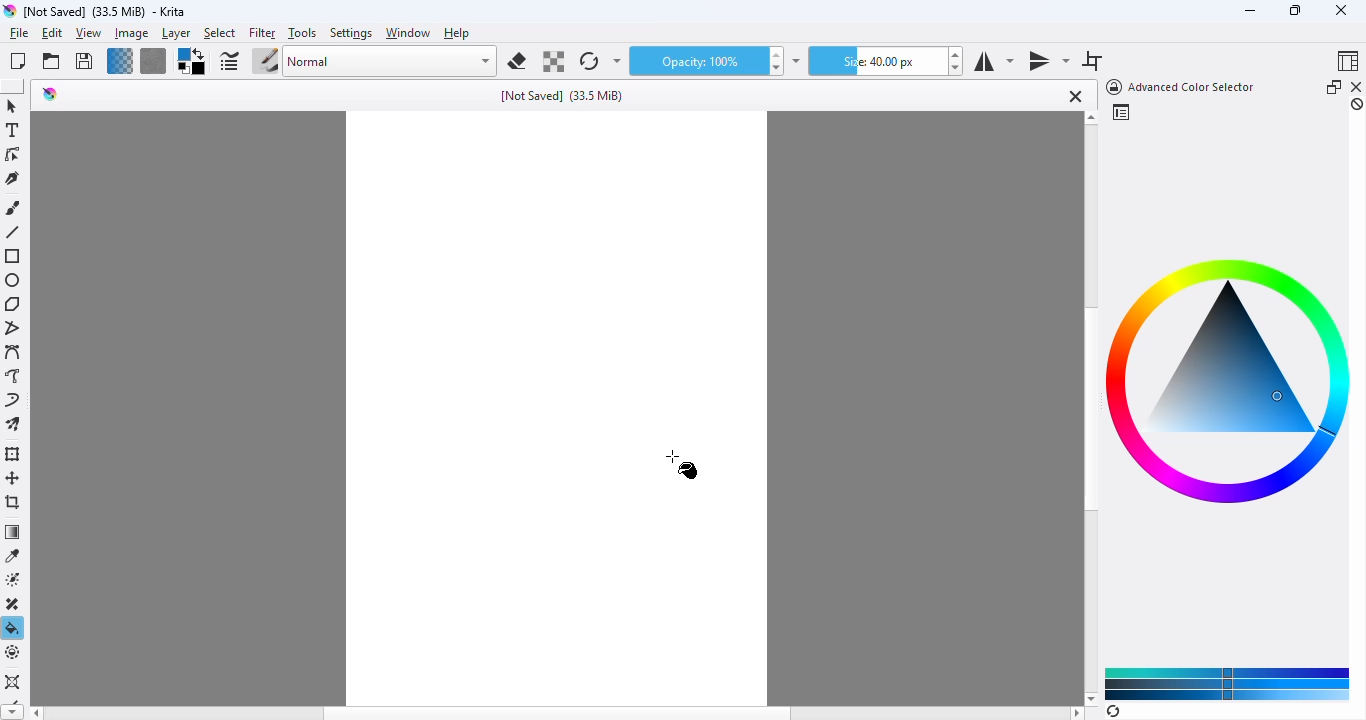 Image resolution: width=1366 pixels, height=720 pixels. What do you see at coordinates (1294, 9) in the screenshot?
I see `resize` at bounding box center [1294, 9].